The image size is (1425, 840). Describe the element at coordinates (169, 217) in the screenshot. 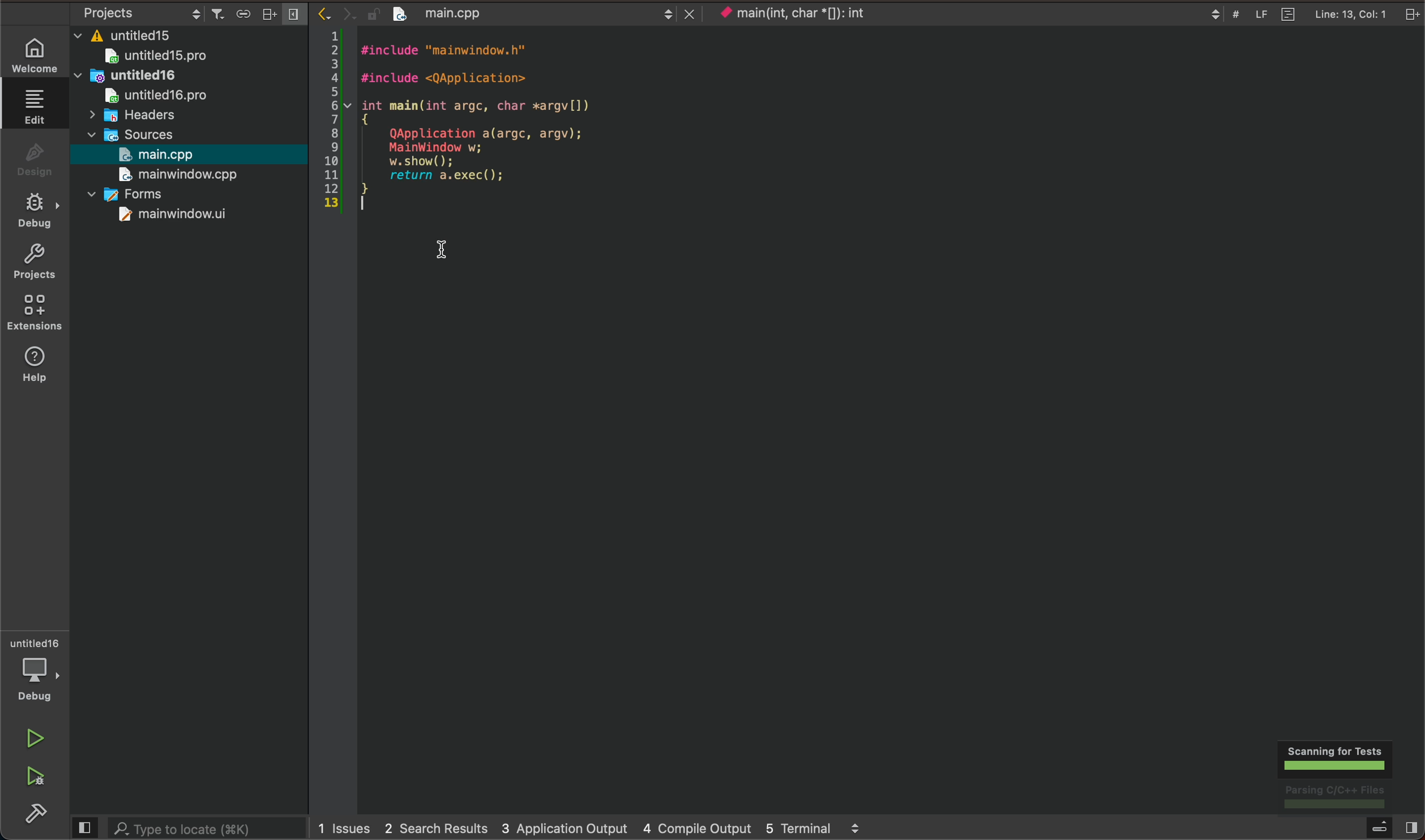

I see `mainwindow` at that location.